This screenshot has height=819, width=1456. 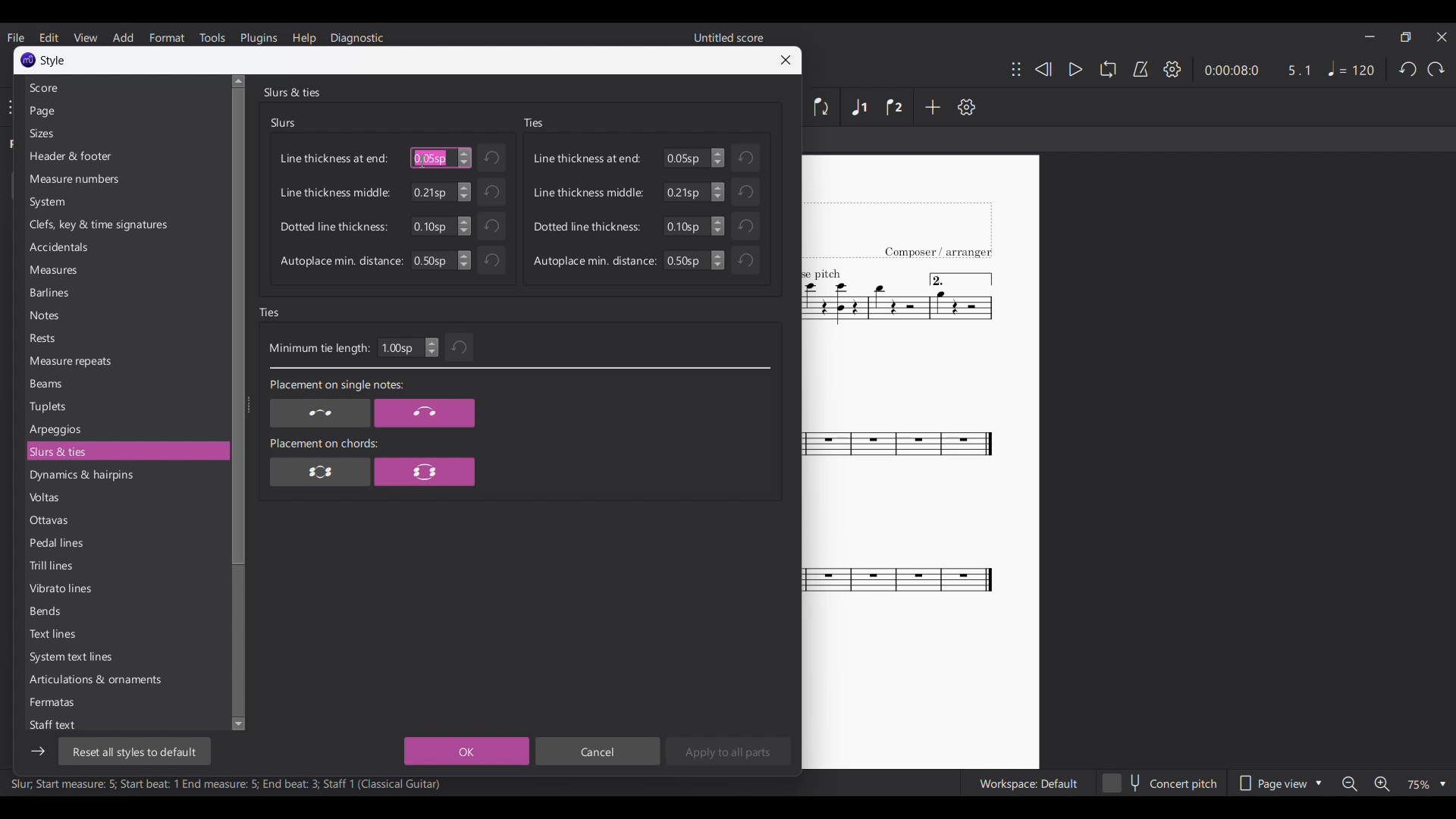 What do you see at coordinates (28, 60) in the screenshot?
I see `Software logo` at bounding box center [28, 60].